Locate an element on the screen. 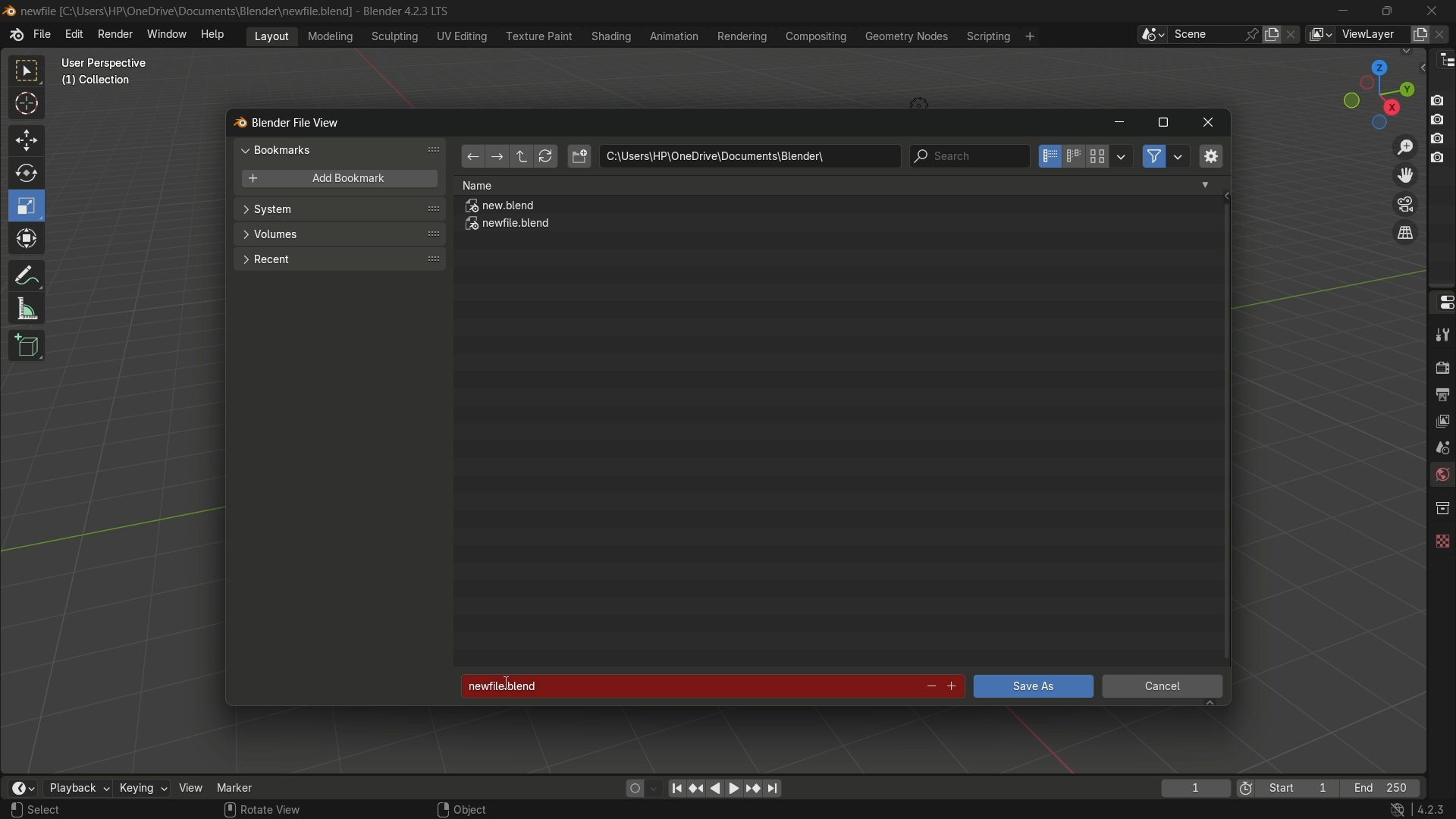 This screenshot has height=819, width=1456. modeling menu is located at coordinates (331, 35).